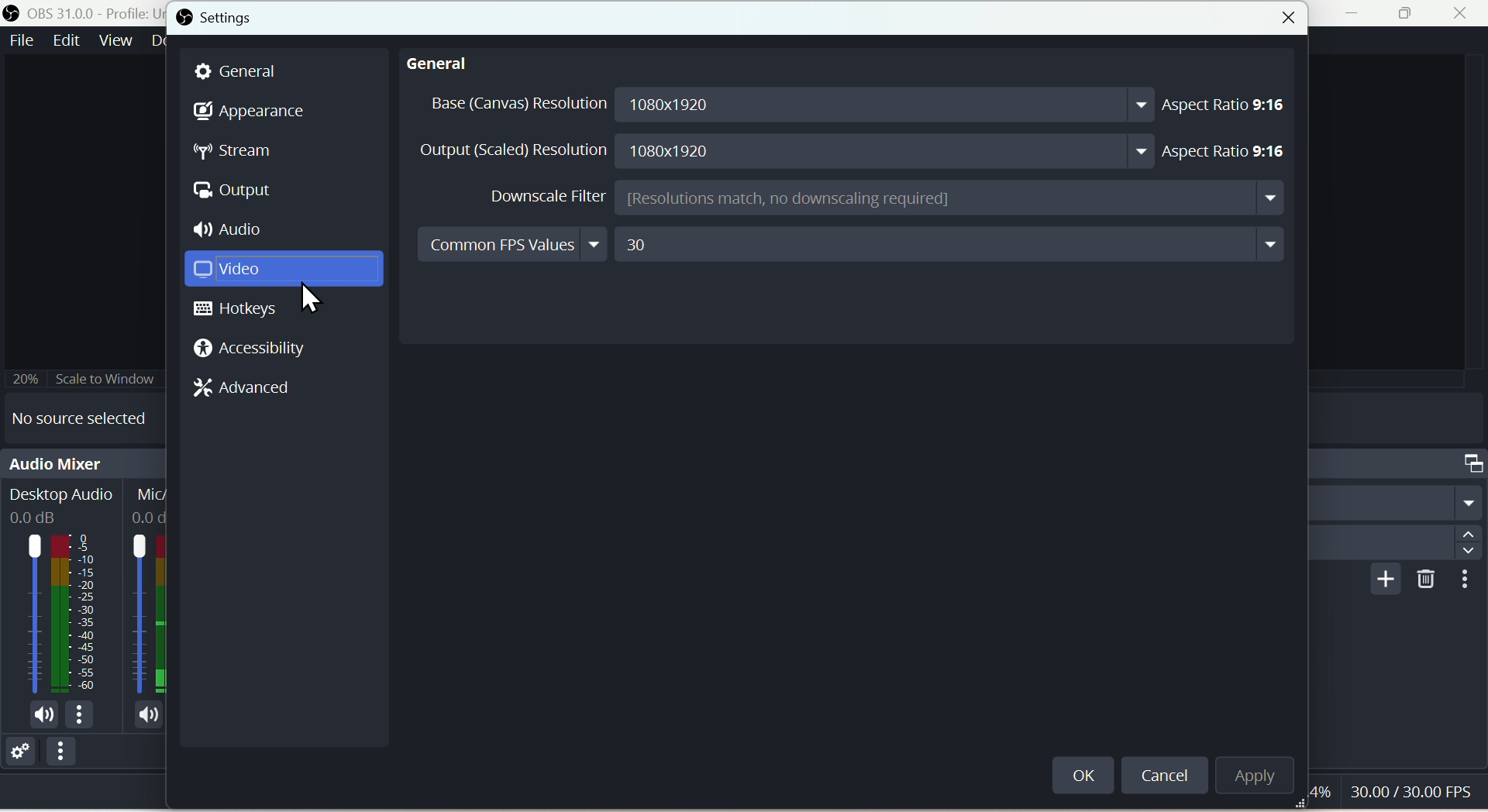  What do you see at coordinates (115, 40) in the screenshot?
I see `view` at bounding box center [115, 40].